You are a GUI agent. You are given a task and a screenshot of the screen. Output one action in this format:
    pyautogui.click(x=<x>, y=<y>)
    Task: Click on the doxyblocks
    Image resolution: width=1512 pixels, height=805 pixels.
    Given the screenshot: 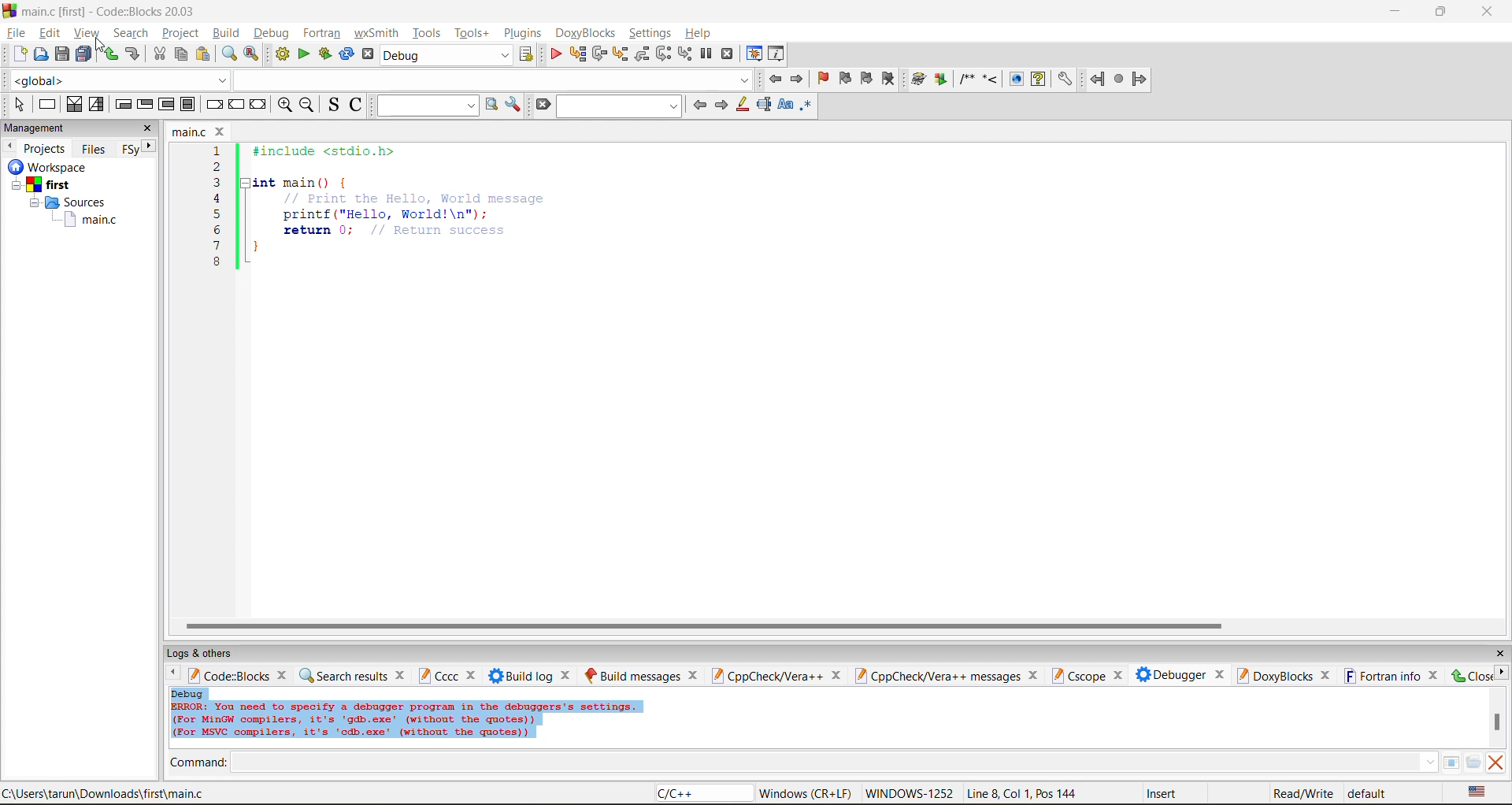 What is the action you would take?
    pyautogui.click(x=586, y=32)
    